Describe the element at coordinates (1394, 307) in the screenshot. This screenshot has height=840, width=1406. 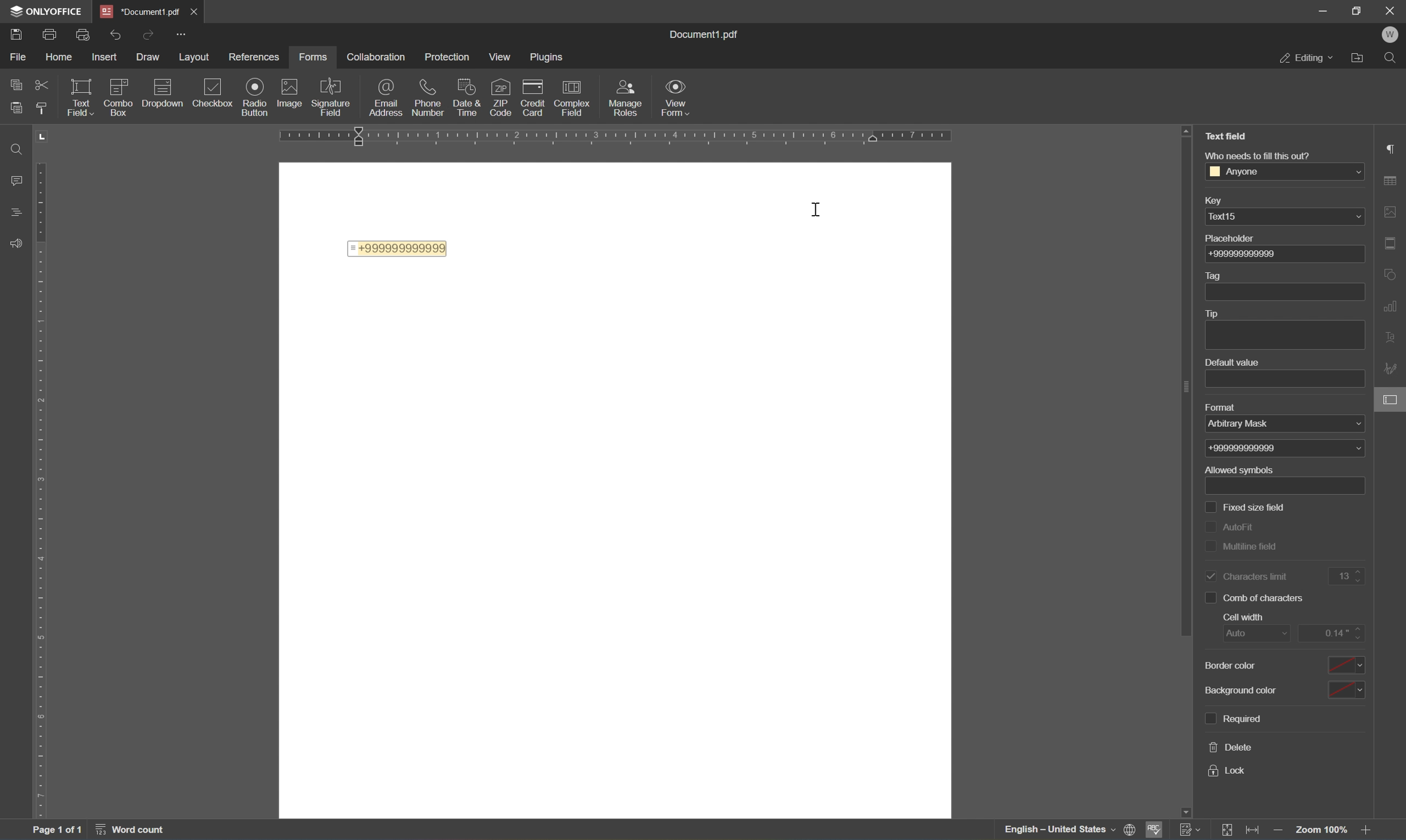
I see `chart settings` at that location.